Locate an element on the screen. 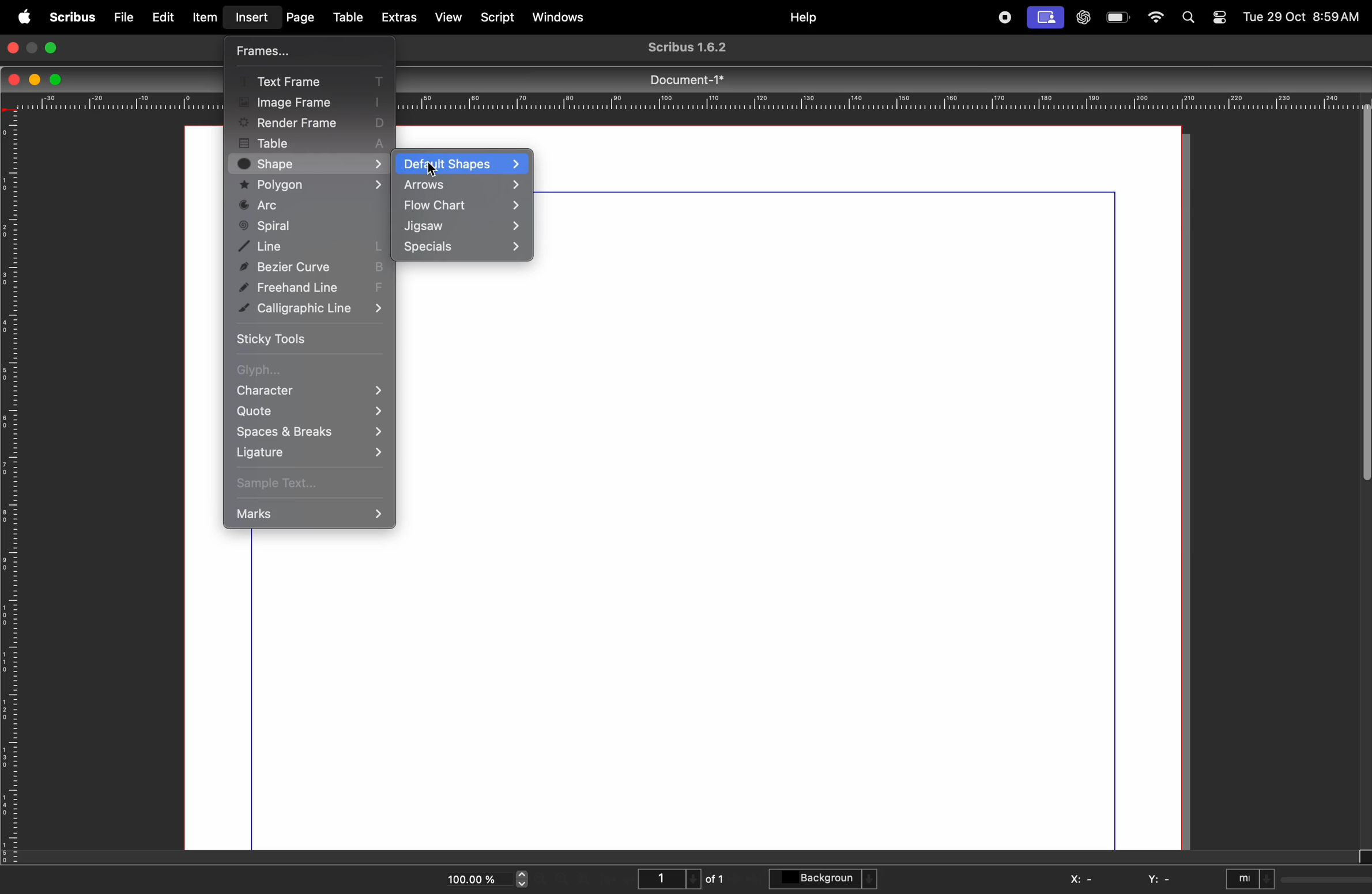  horrizontal scale is located at coordinates (889, 102).